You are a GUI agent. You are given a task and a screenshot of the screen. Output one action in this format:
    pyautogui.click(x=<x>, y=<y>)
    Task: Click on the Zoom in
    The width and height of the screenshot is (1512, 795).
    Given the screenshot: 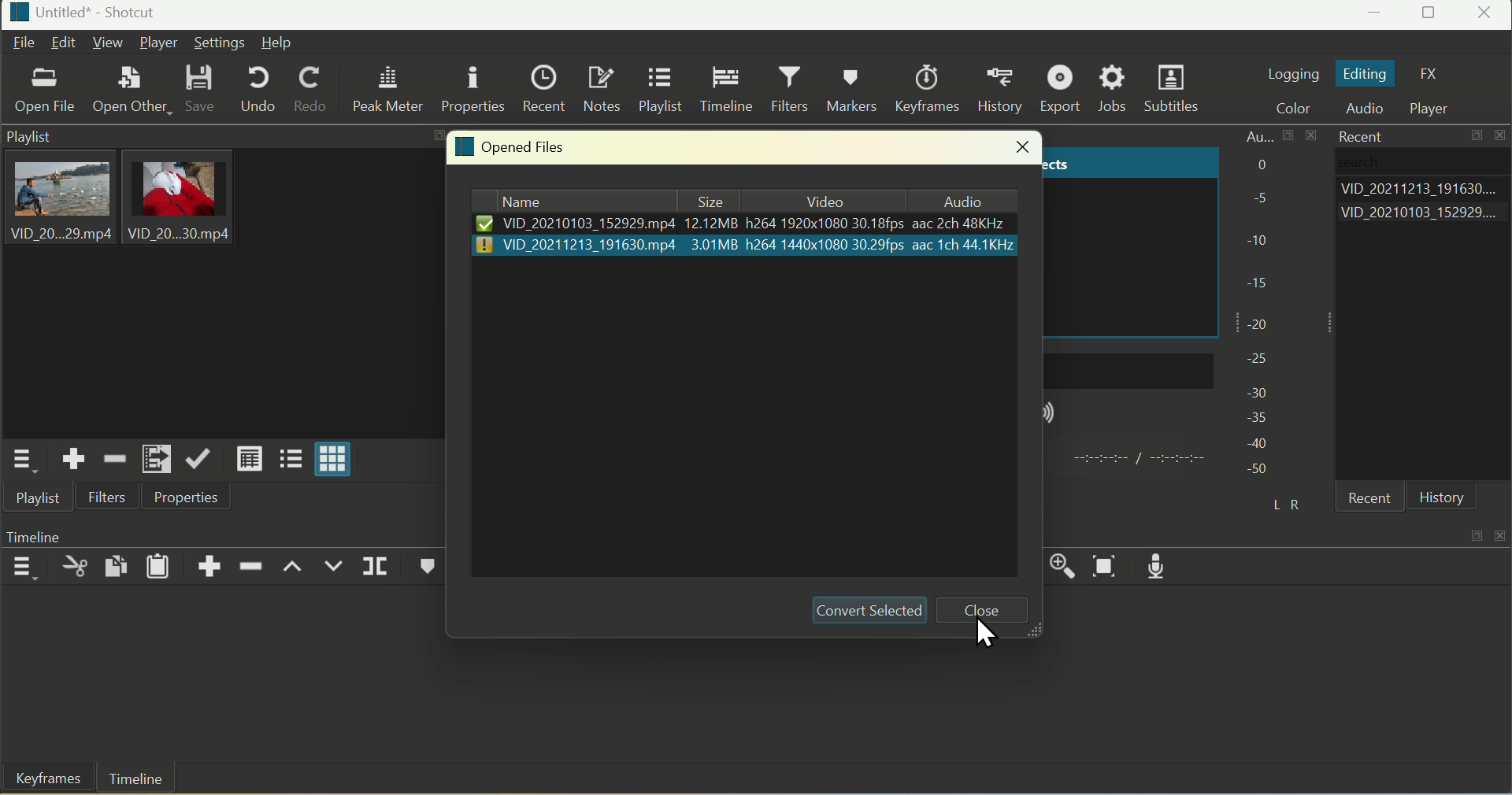 What is the action you would take?
    pyautogui.click(x=1058, y=563)
    